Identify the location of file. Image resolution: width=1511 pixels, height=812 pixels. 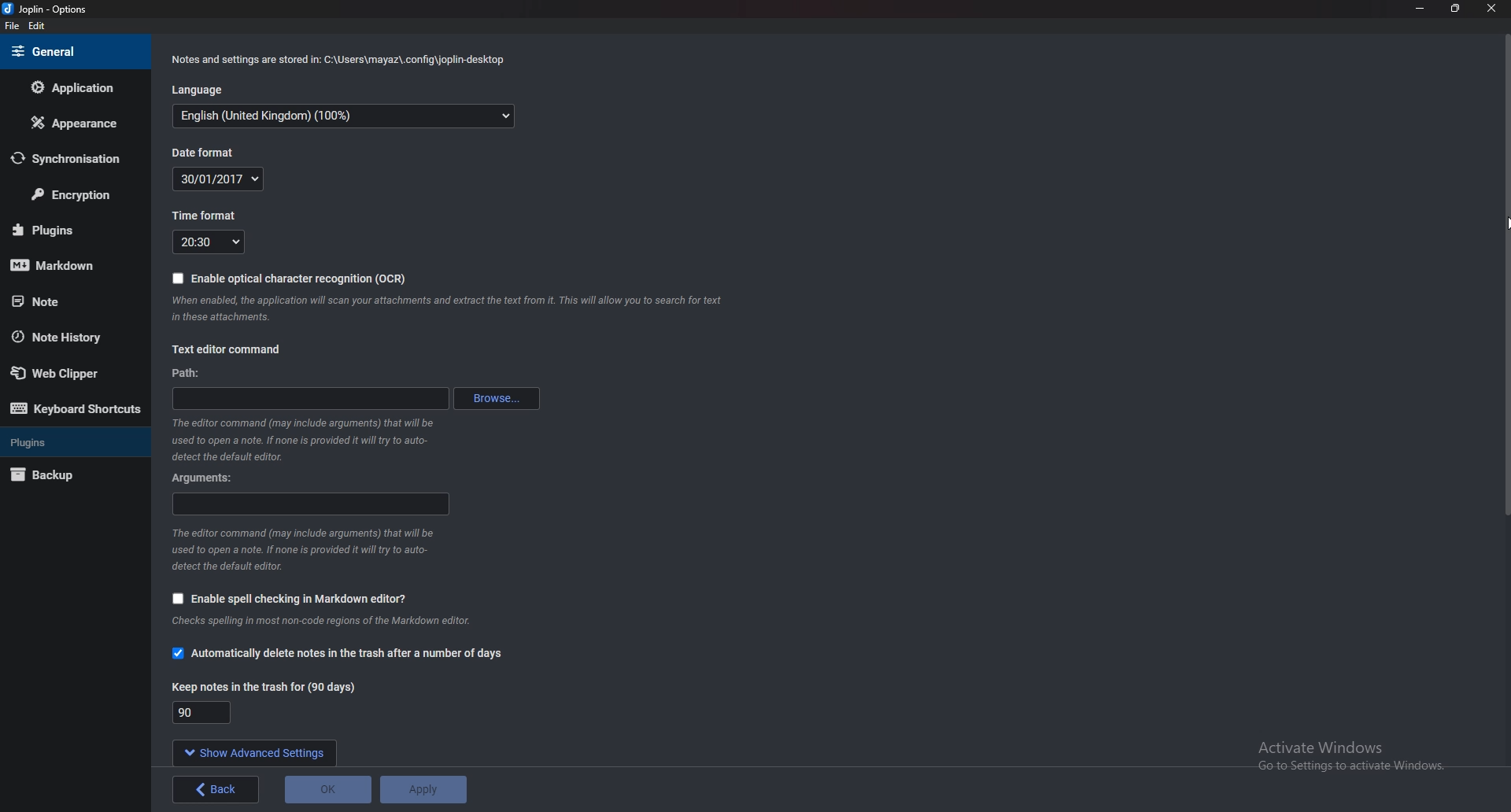
(14, 26).